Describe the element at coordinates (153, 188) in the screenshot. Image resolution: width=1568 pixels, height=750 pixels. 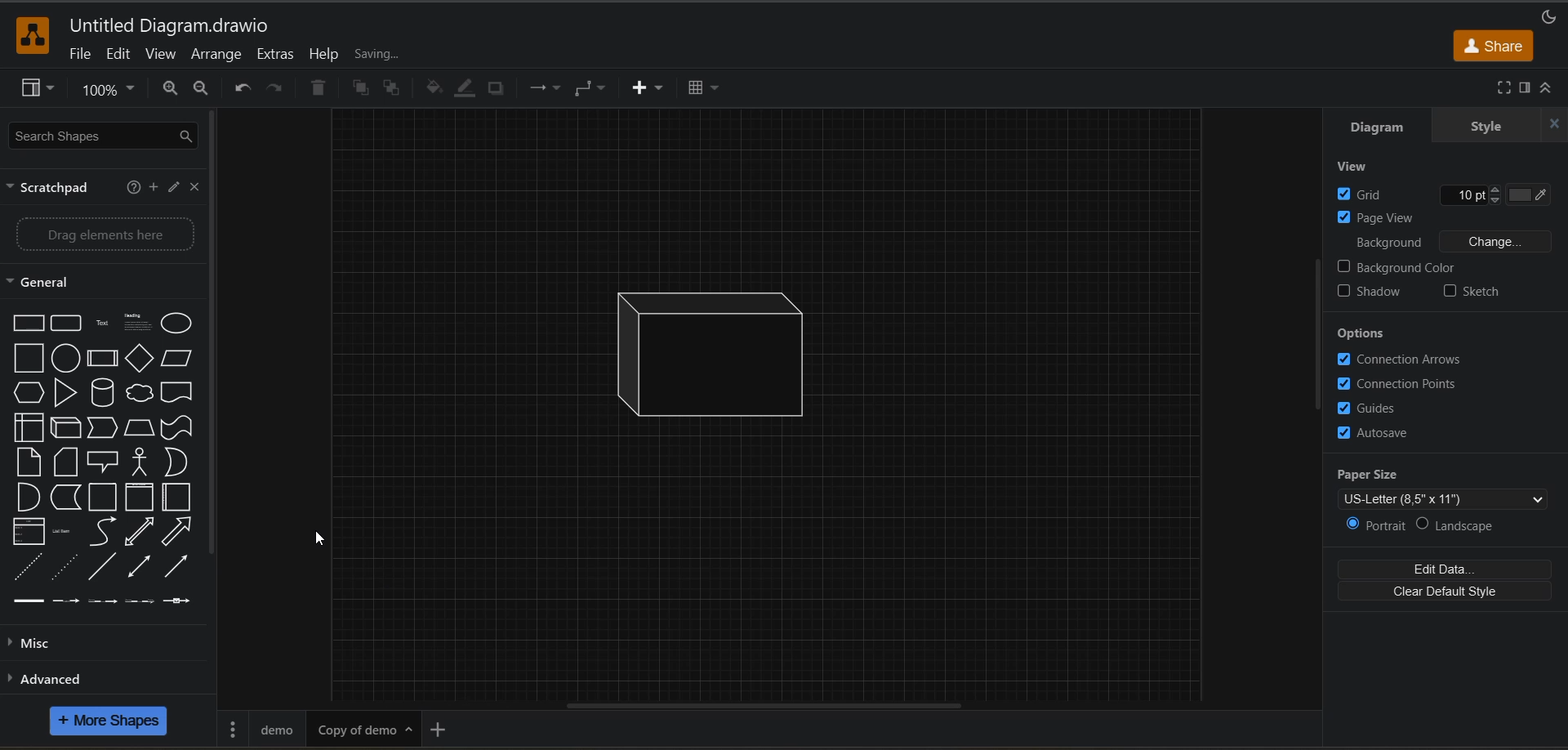
I see `add` at that location.